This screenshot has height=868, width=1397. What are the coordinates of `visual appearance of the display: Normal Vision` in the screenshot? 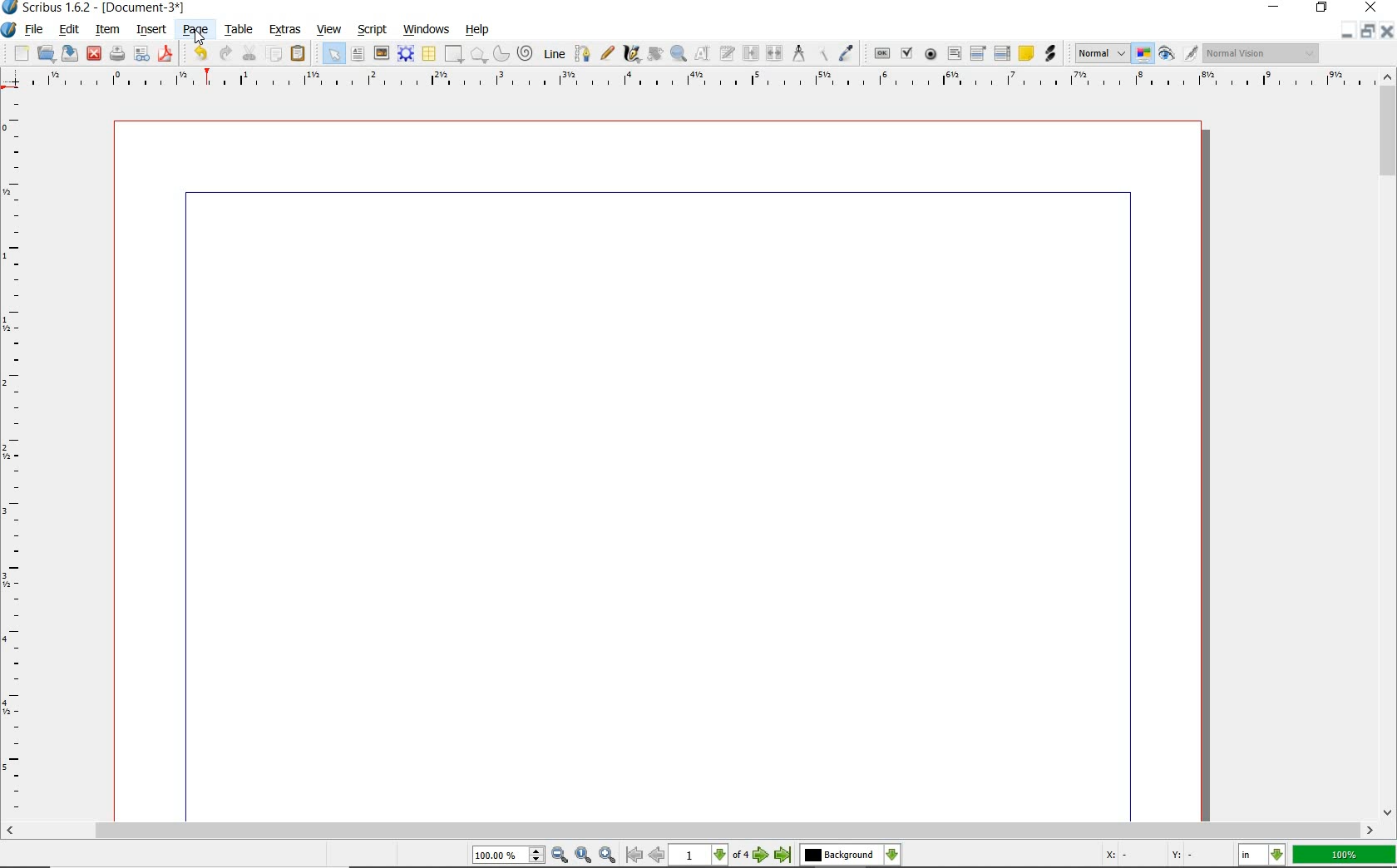 It's located at (1263, 53).